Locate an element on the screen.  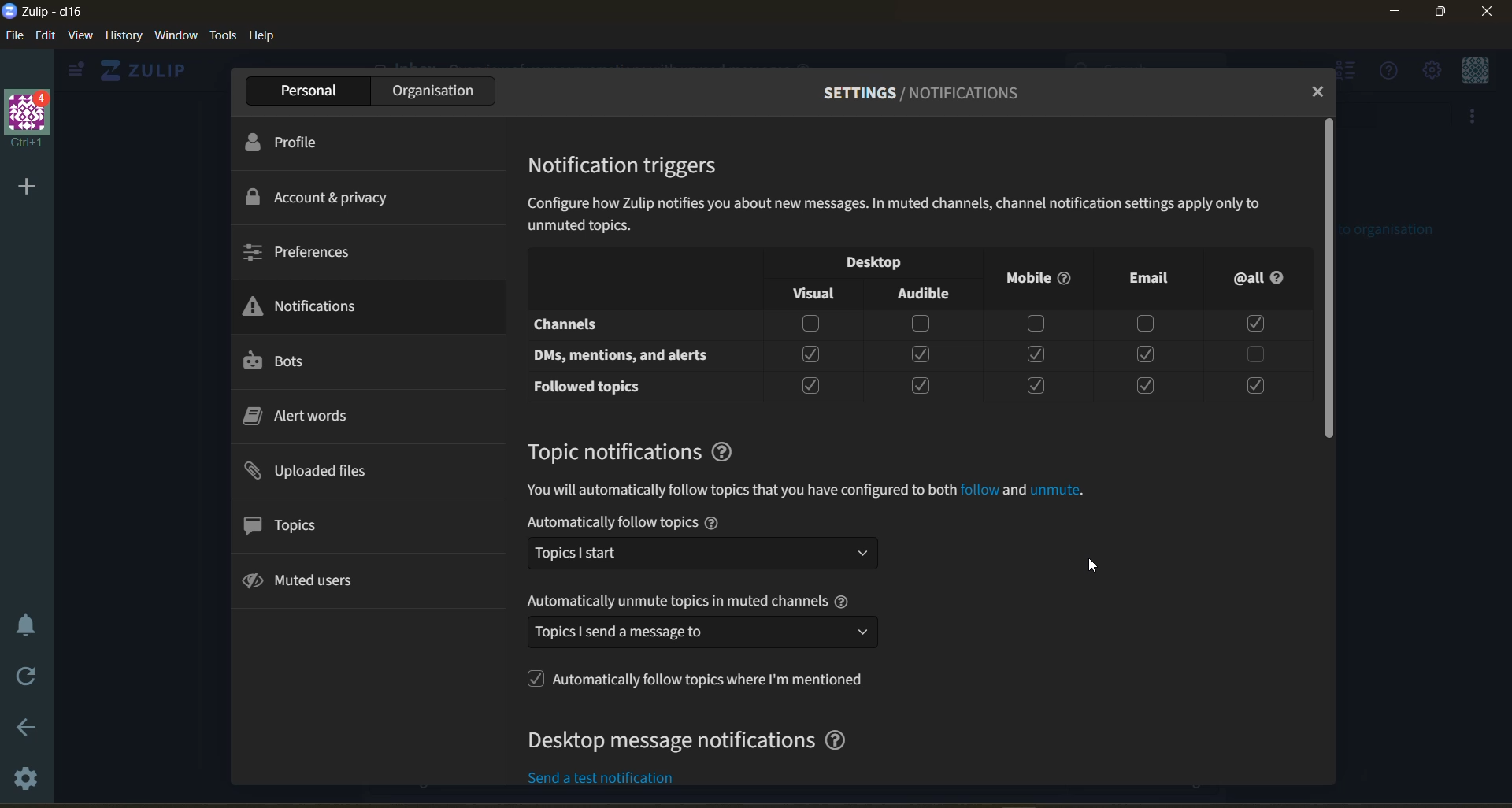
personal is located at coordinates (302, 90).